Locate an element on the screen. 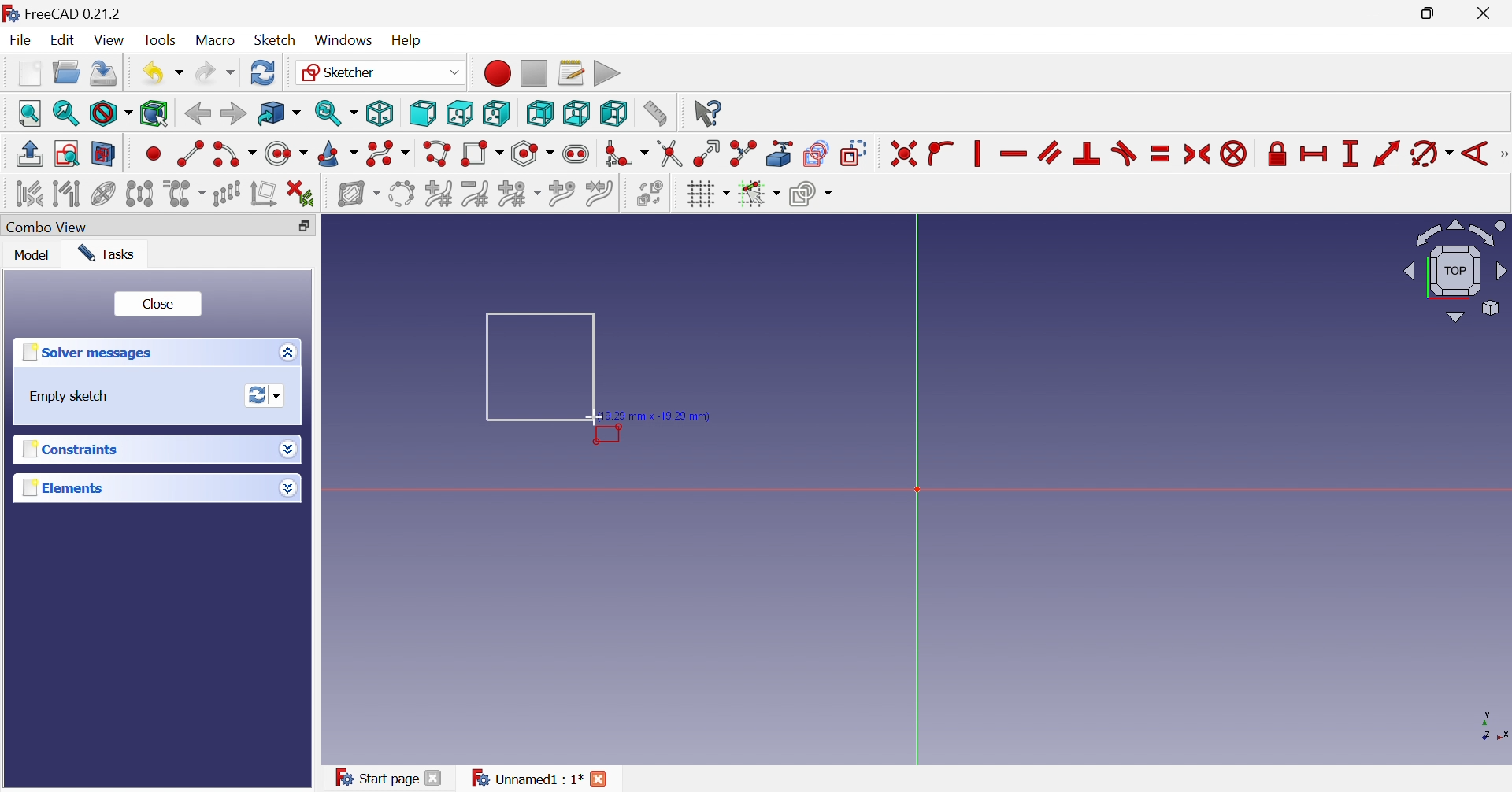 The width and height of the screenshot is (1512, 792). Constrain tangent is located at coordinates (1126, 153).